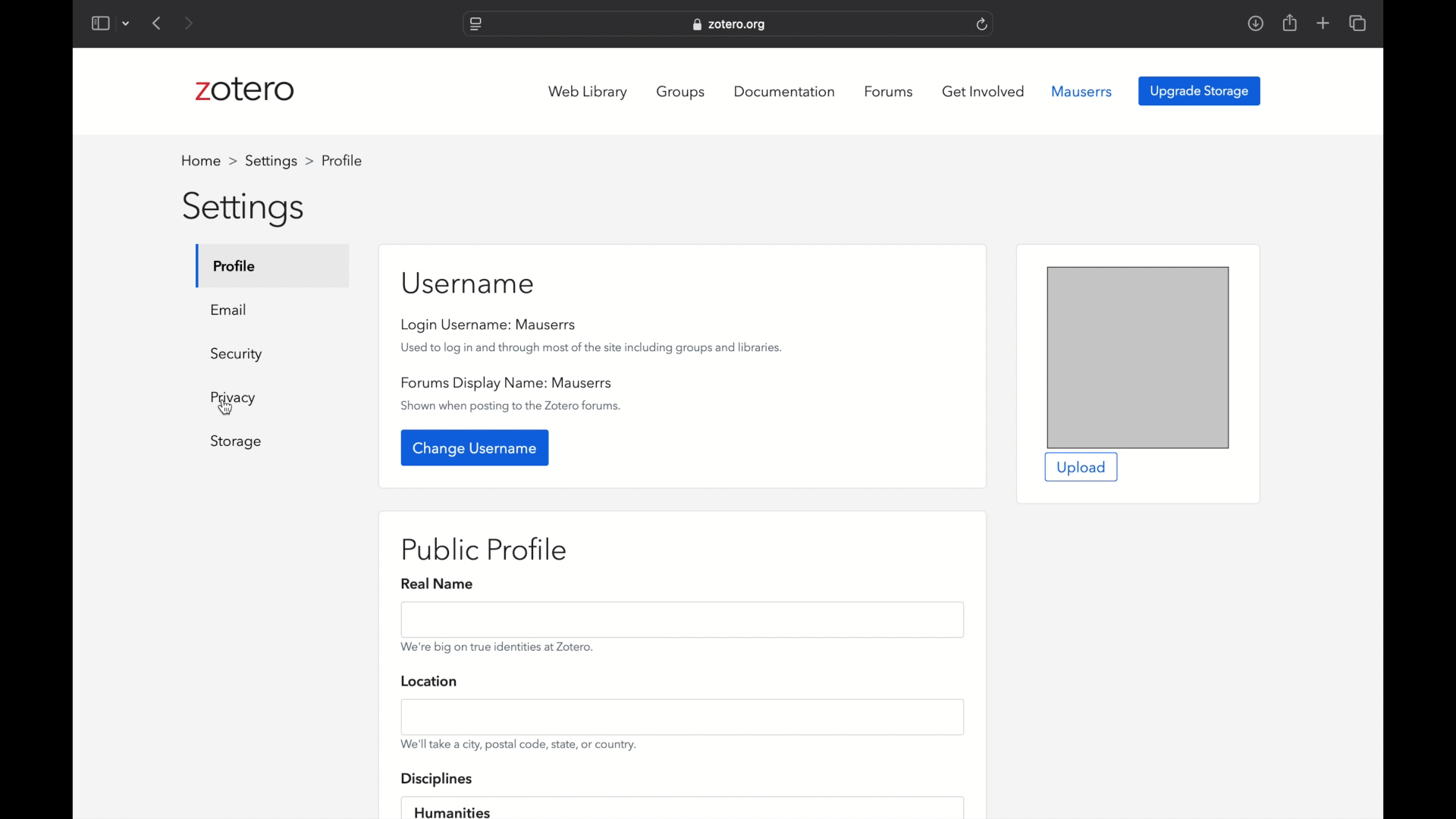 This screenshot has height=819, width=1456. What do you see at coordinates (485, 550) in the screenshot?
I see `public profile` at bounding box center [485, 550].